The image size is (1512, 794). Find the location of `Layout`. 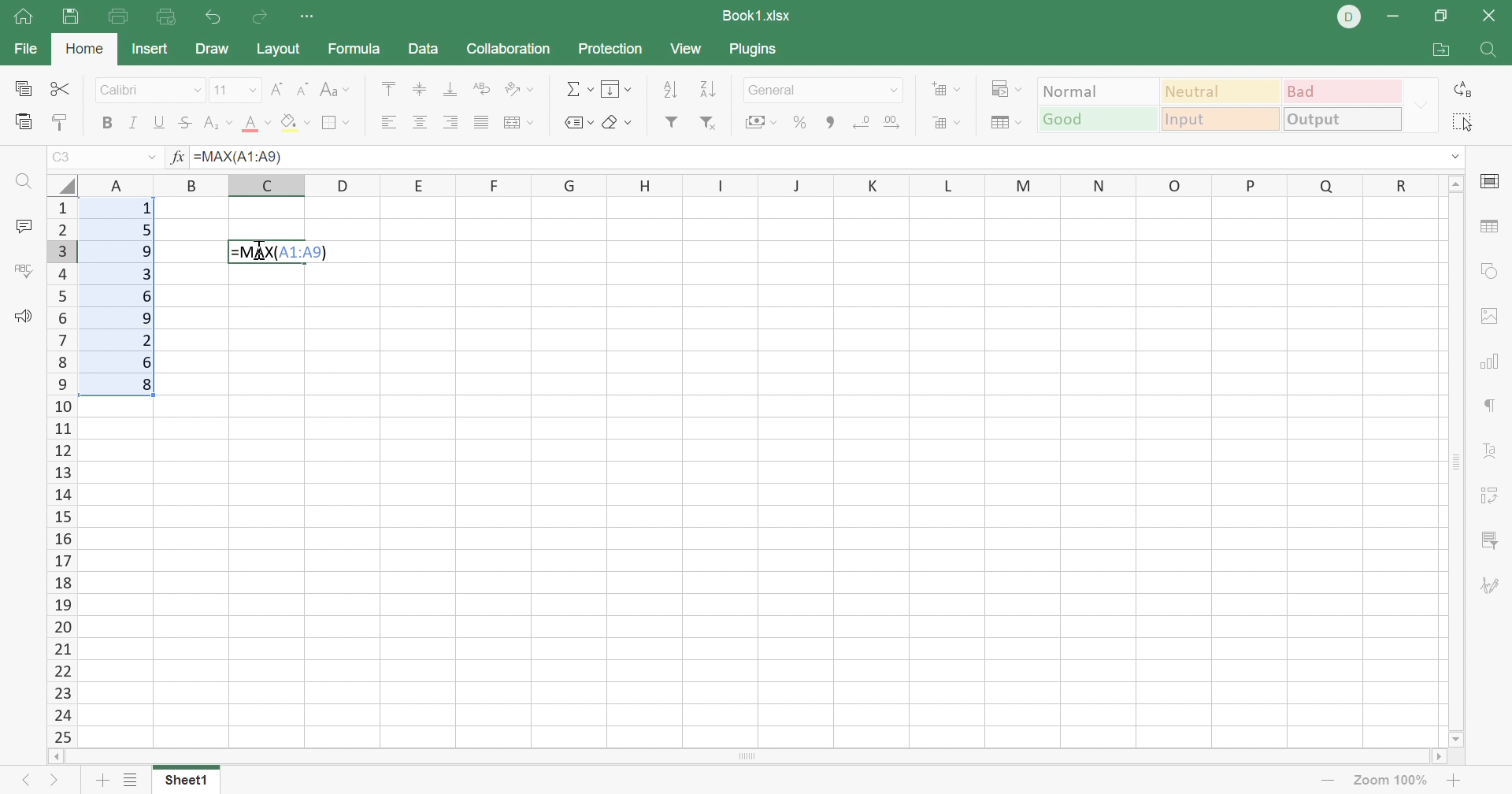

Layout is located at coordinates (281, 49).